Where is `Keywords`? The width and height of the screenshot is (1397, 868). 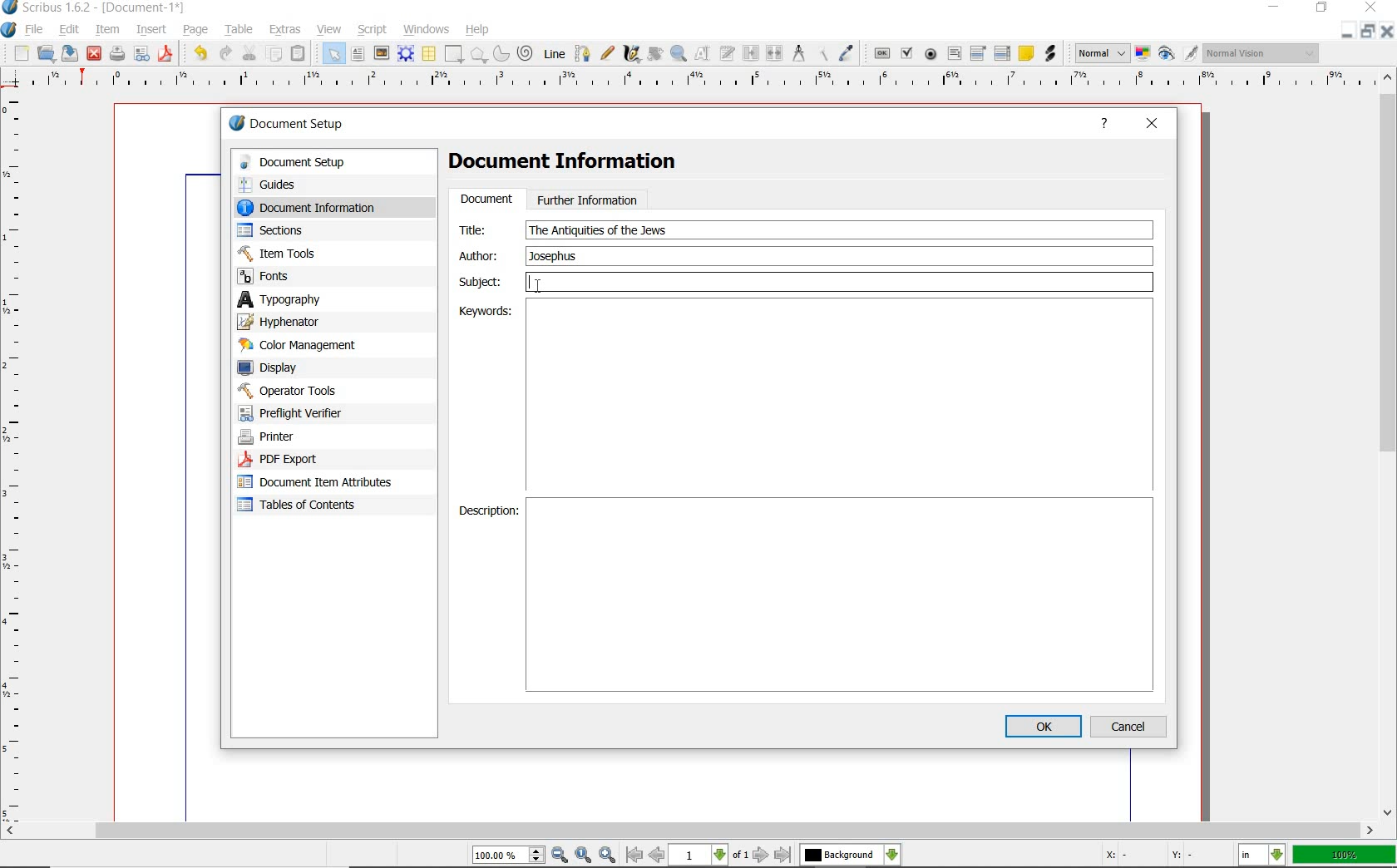
Keywords is located at coordinates (842, 398).